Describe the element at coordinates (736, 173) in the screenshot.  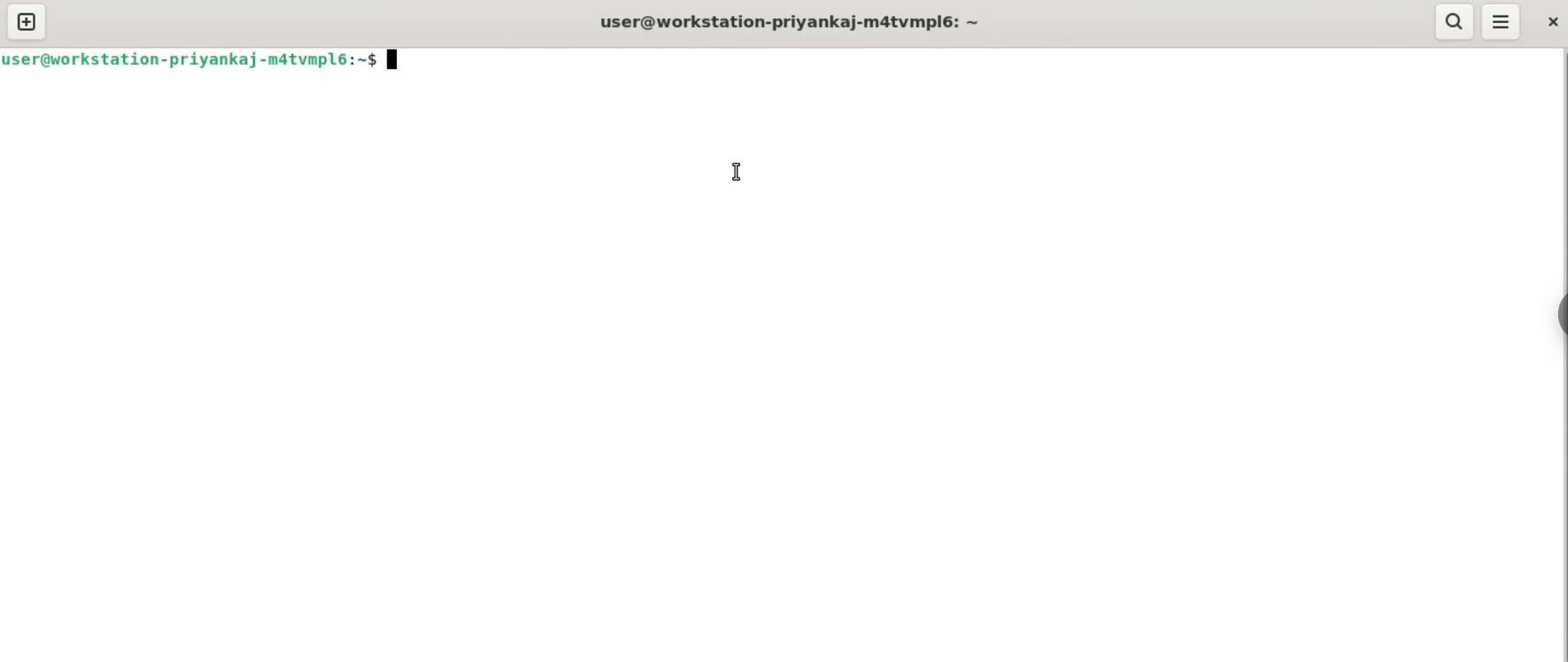
I see `cursor` at that location.